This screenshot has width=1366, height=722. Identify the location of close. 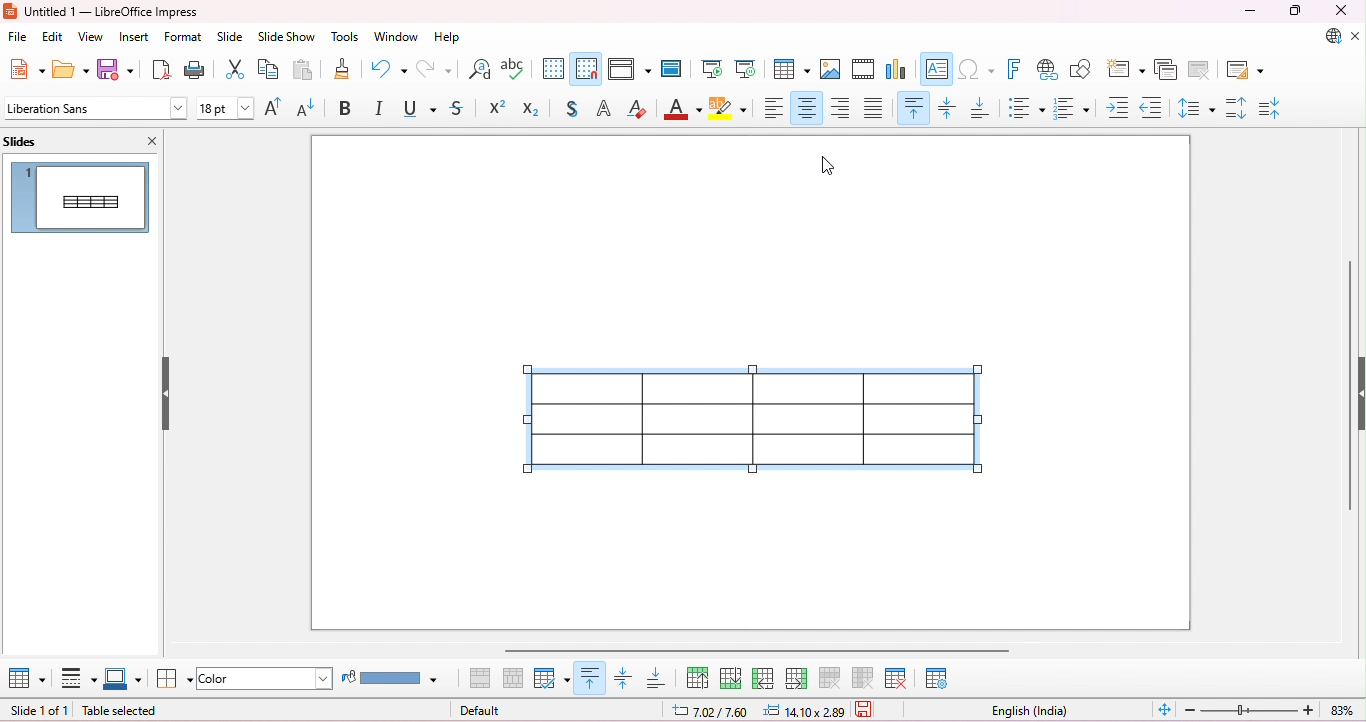
(1356, 37).